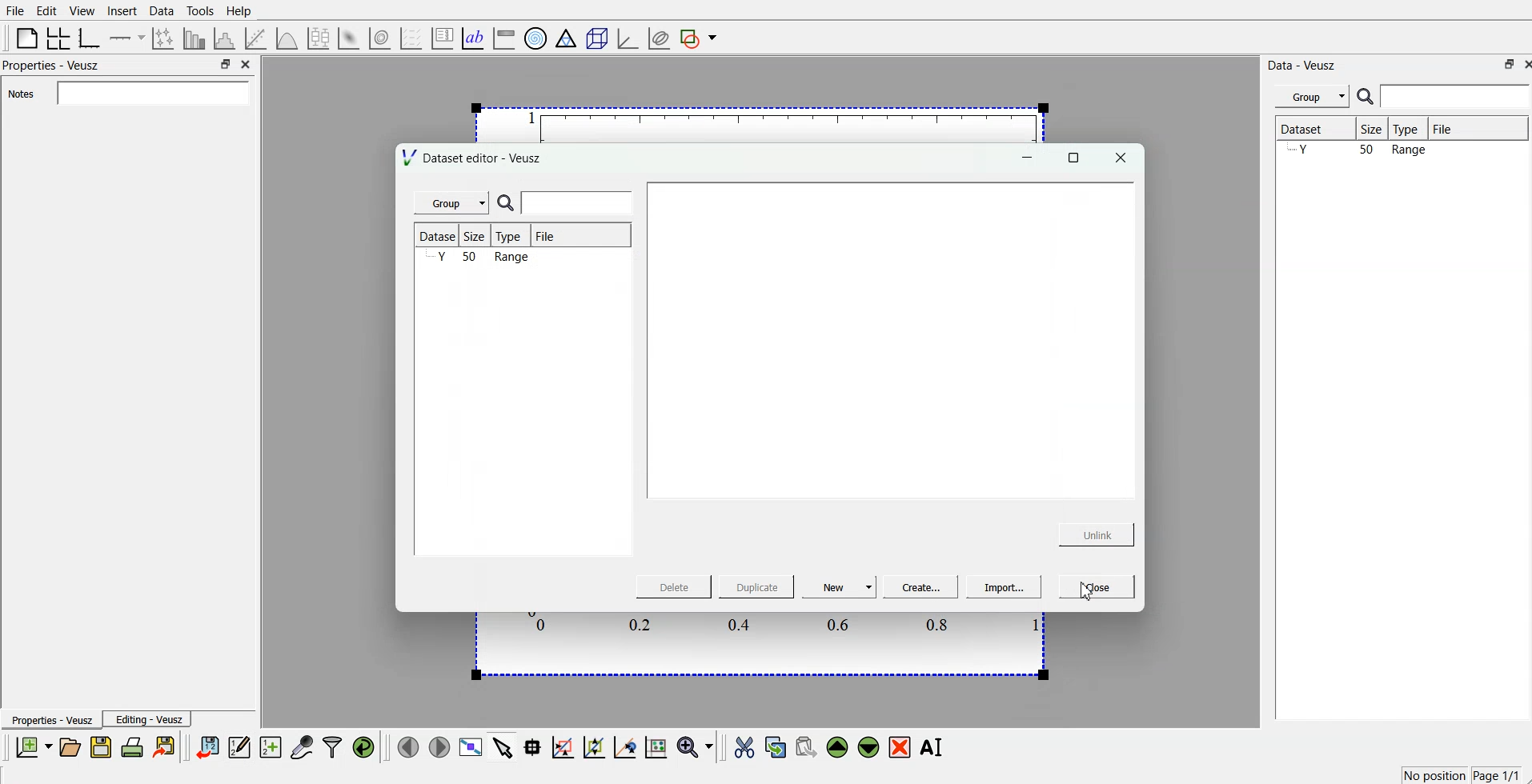 The height and width of the screenshot is (784, 1532). I want to click on export document, so click(165, 748).